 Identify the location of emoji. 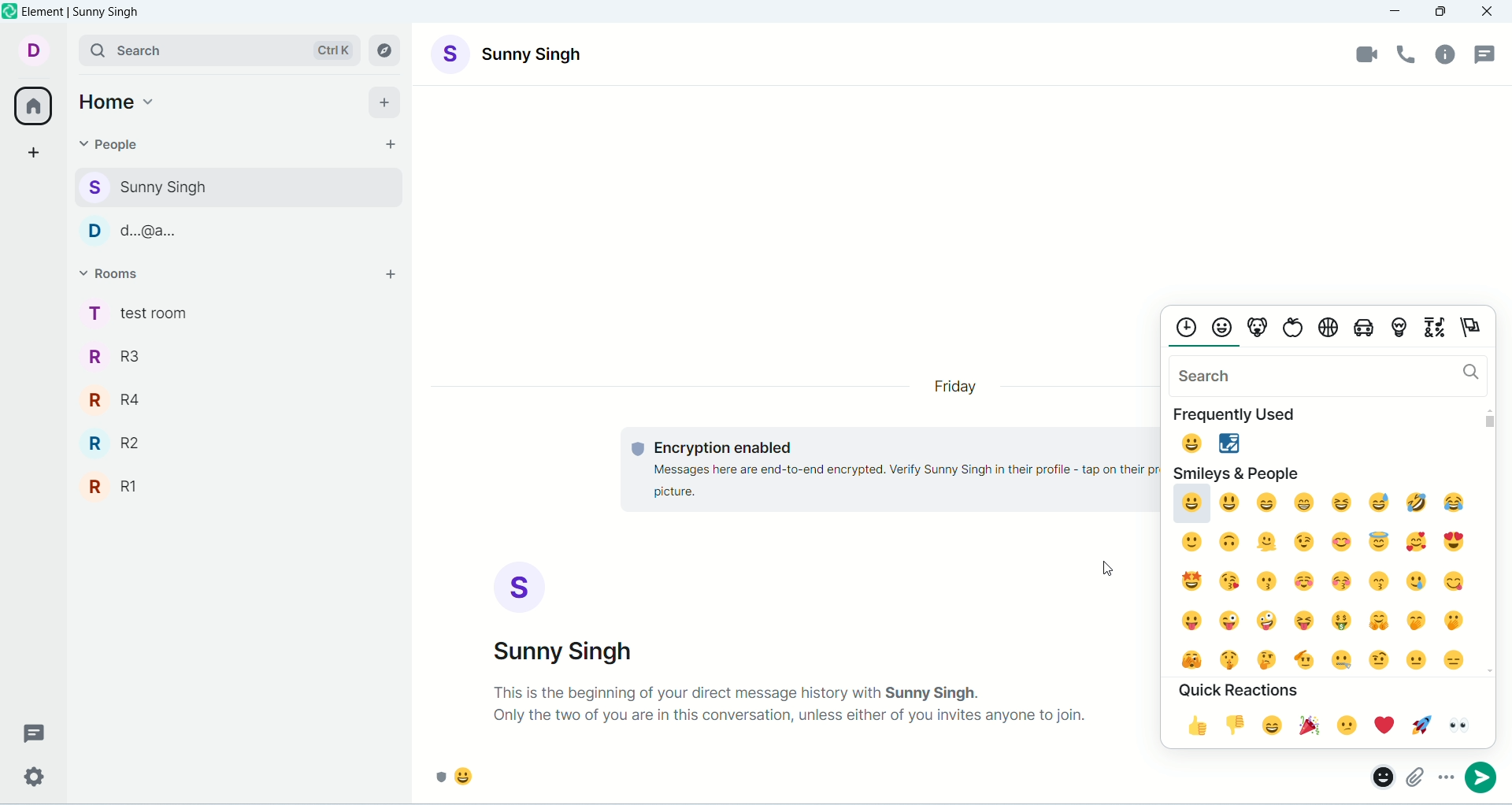
(1378, 774).